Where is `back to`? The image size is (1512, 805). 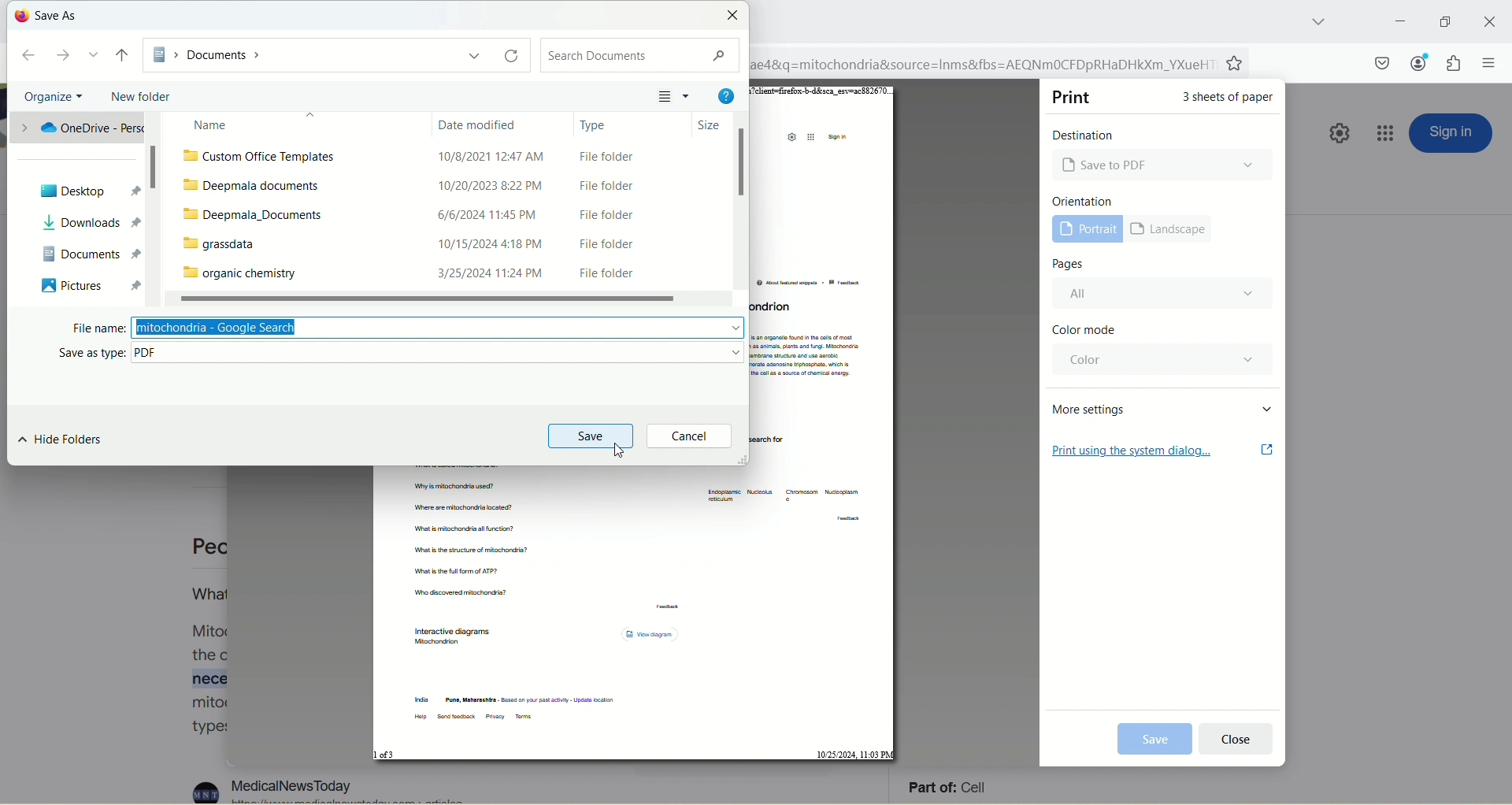
back to is located at coordinates (31, 54).